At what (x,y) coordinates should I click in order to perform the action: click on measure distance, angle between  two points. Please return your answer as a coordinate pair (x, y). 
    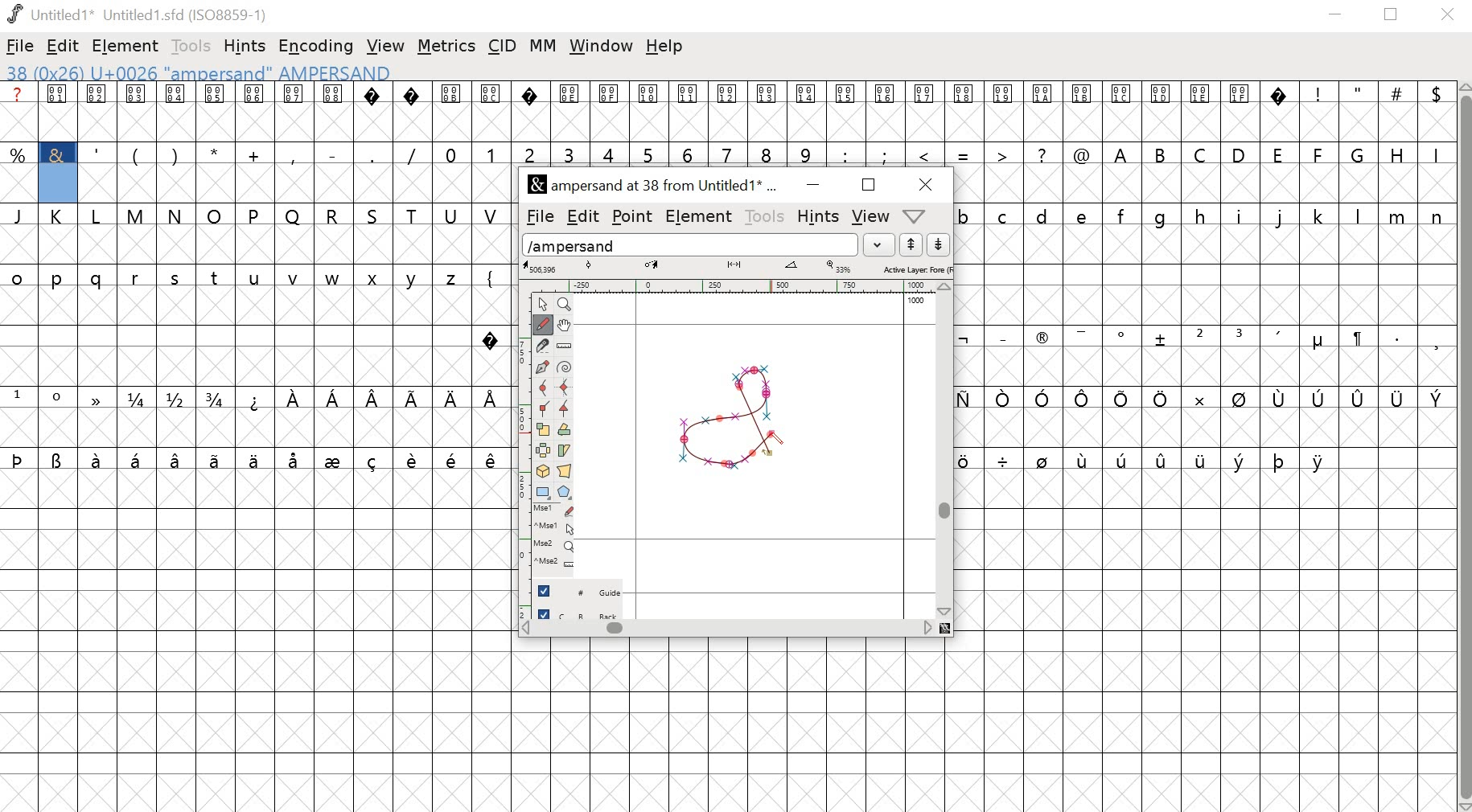
    Looking at the image, I should click on (565, 347).